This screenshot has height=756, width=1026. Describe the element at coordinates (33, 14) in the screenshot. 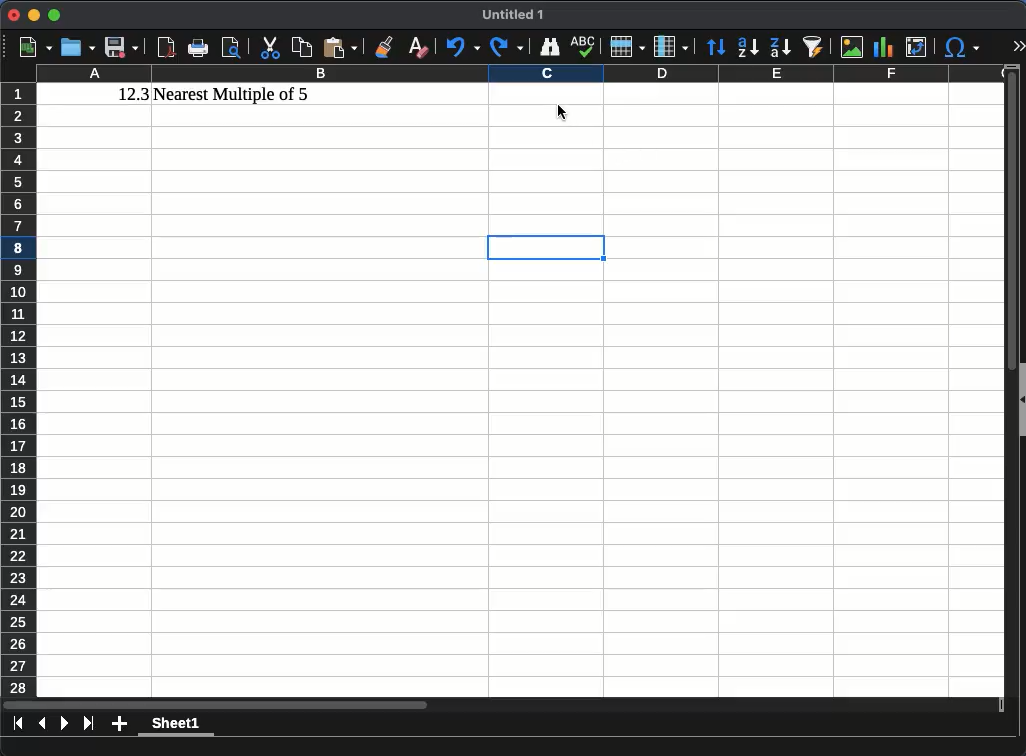

I see `minimize` at that location.